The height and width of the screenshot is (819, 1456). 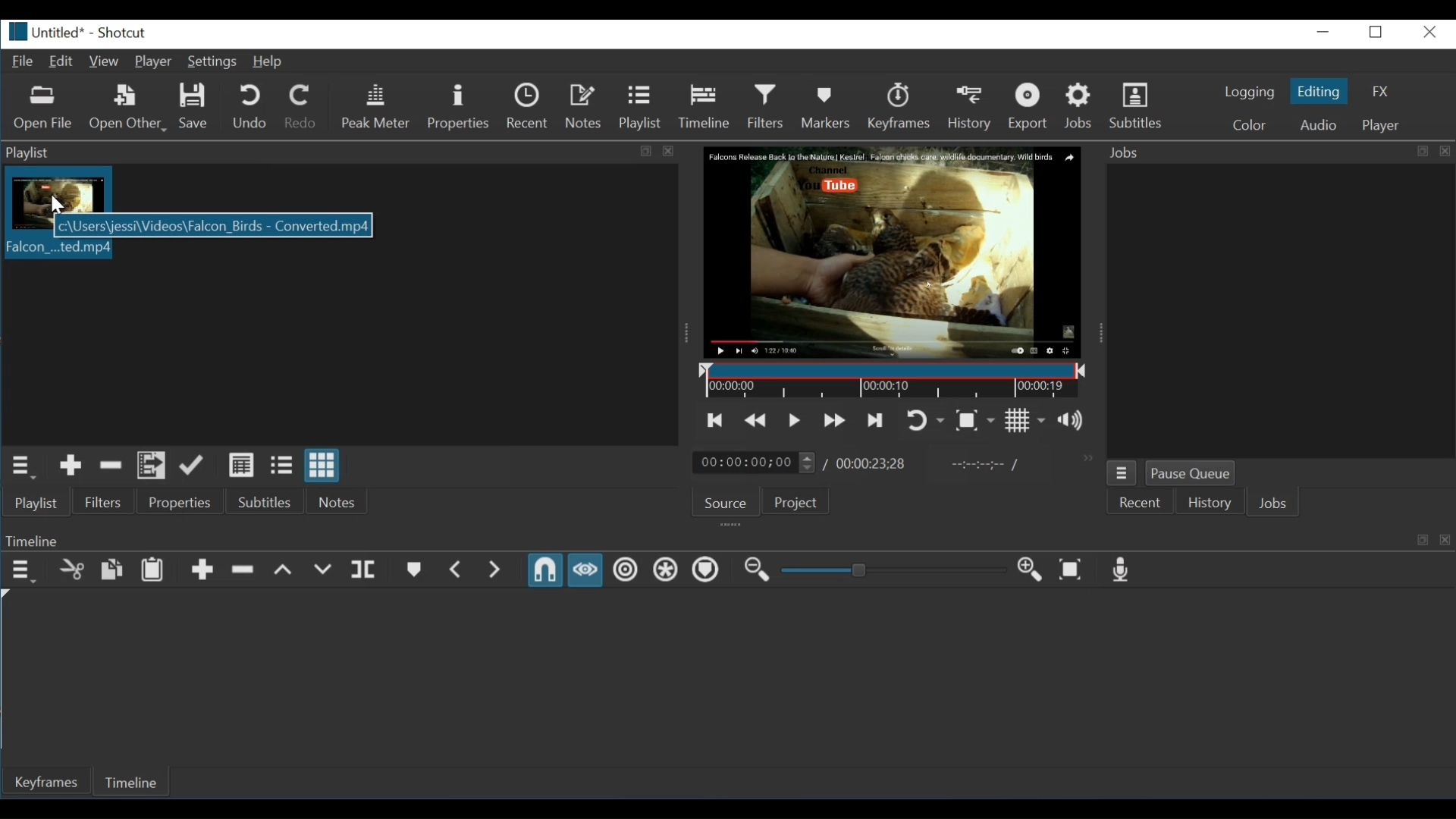 I want to click on Add files to the playlist, so click(x=149, y=466).